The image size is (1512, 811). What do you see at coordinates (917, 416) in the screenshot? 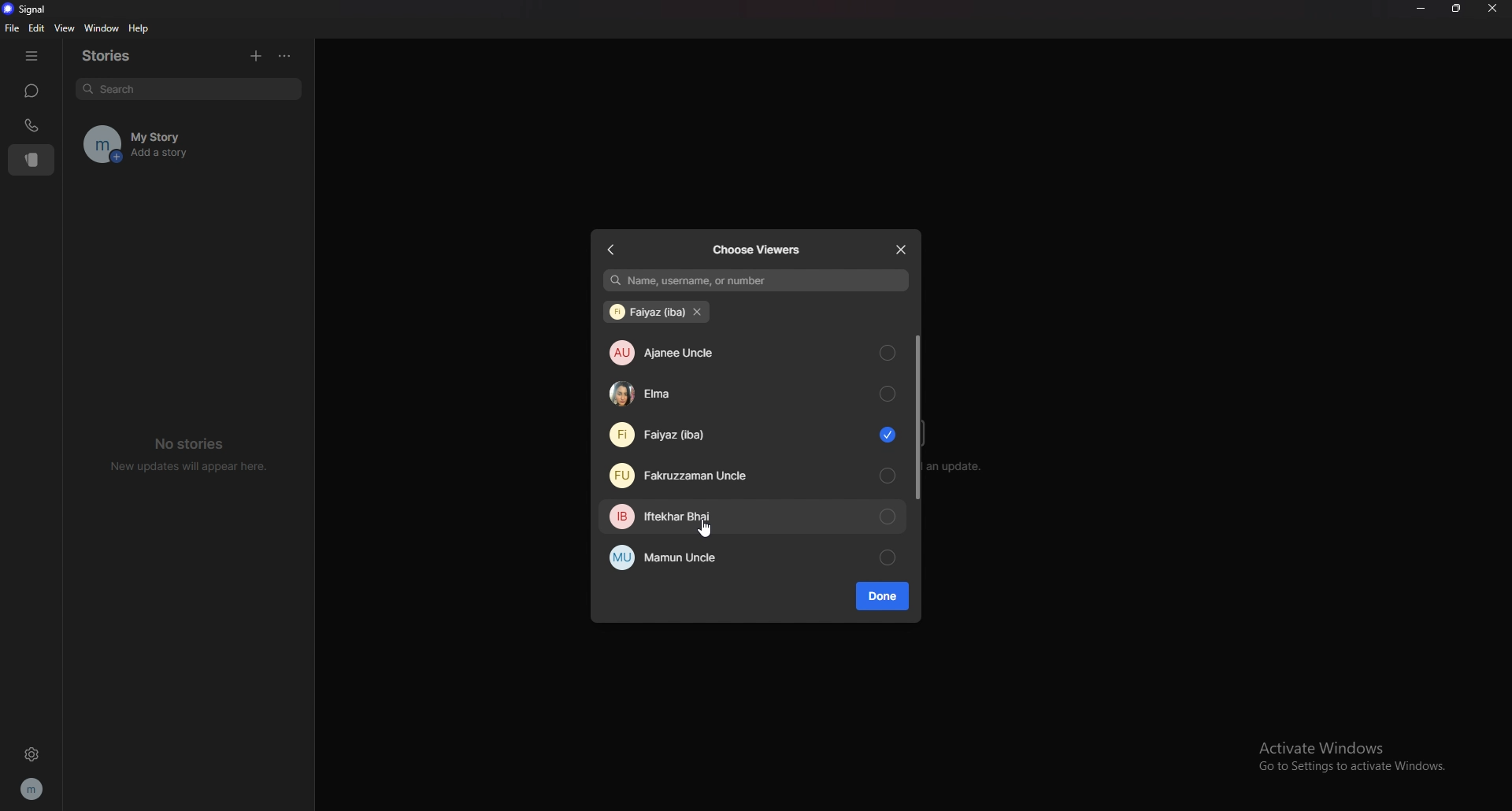
I see `scroll bar` at bounding box center [917, 416].